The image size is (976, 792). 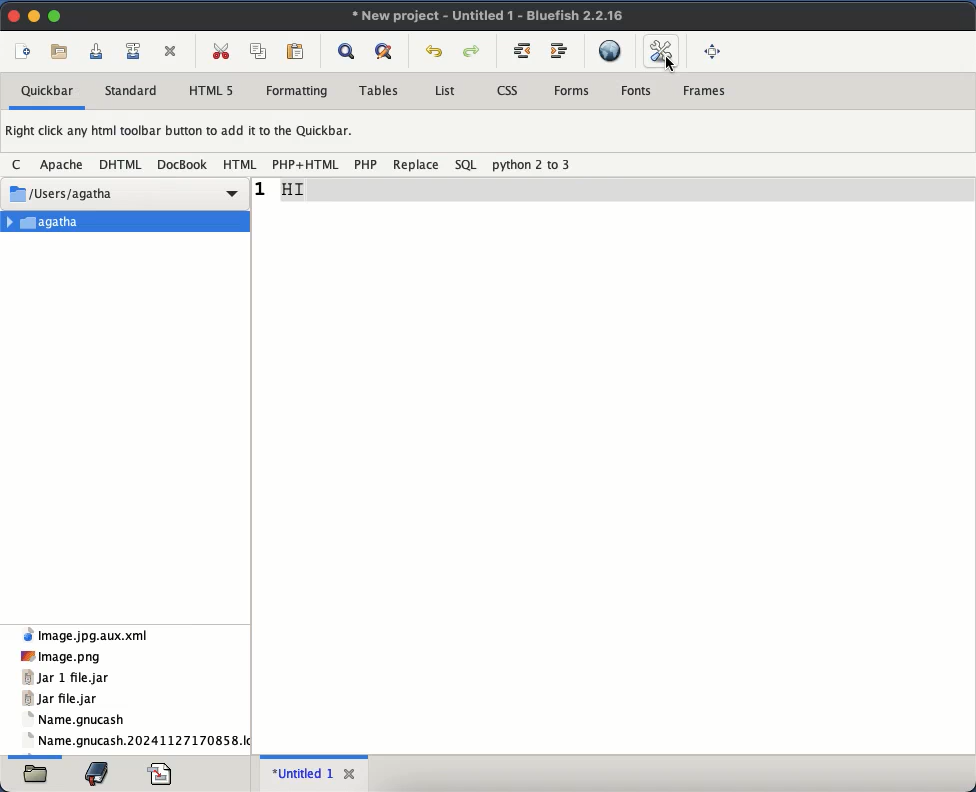 What do you see at coordinates (348, 52) in the screenshot?
I see `show find bar` at bounding box center [348, 52].